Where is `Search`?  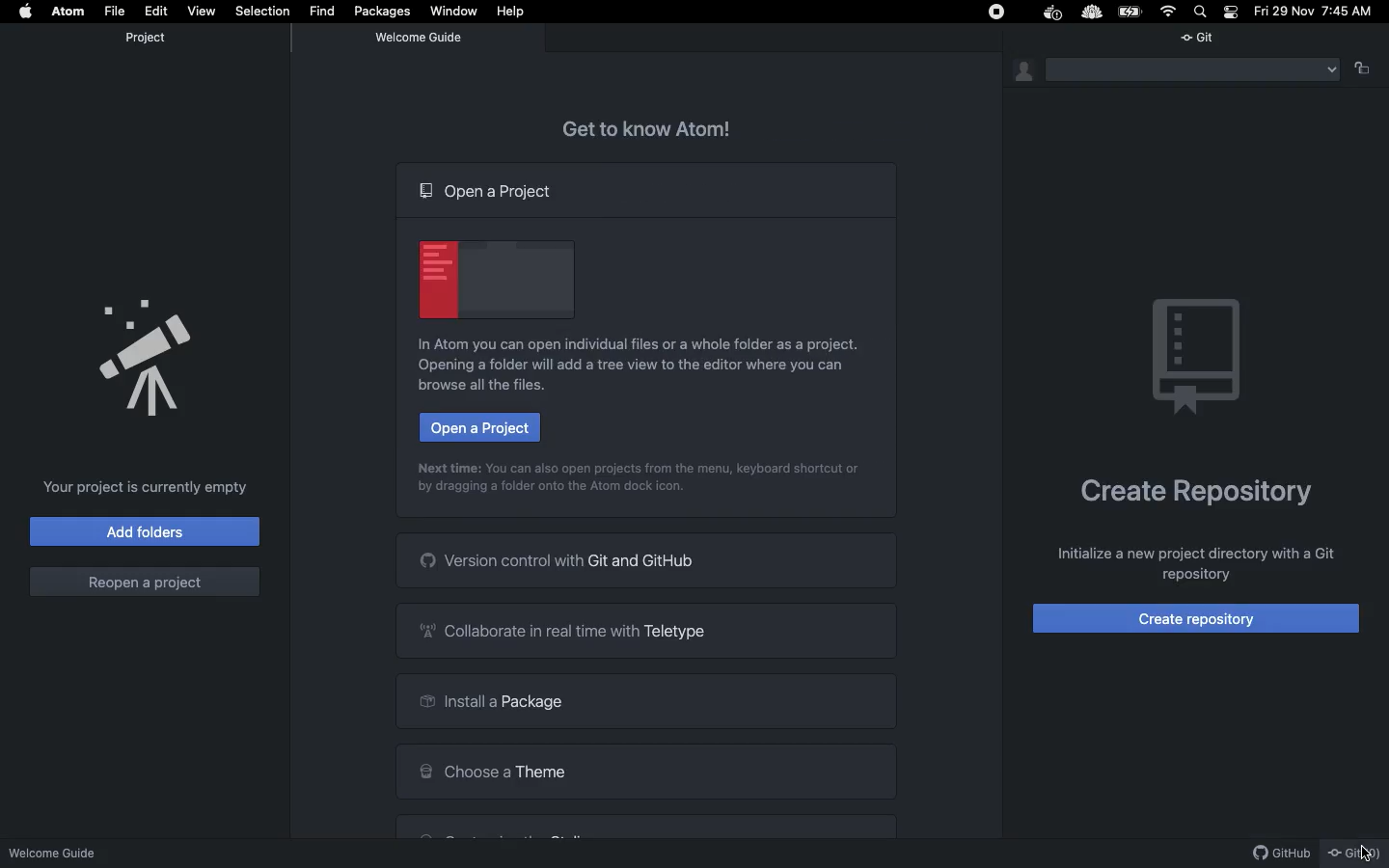 Search is located at coordinates (1202, 11).